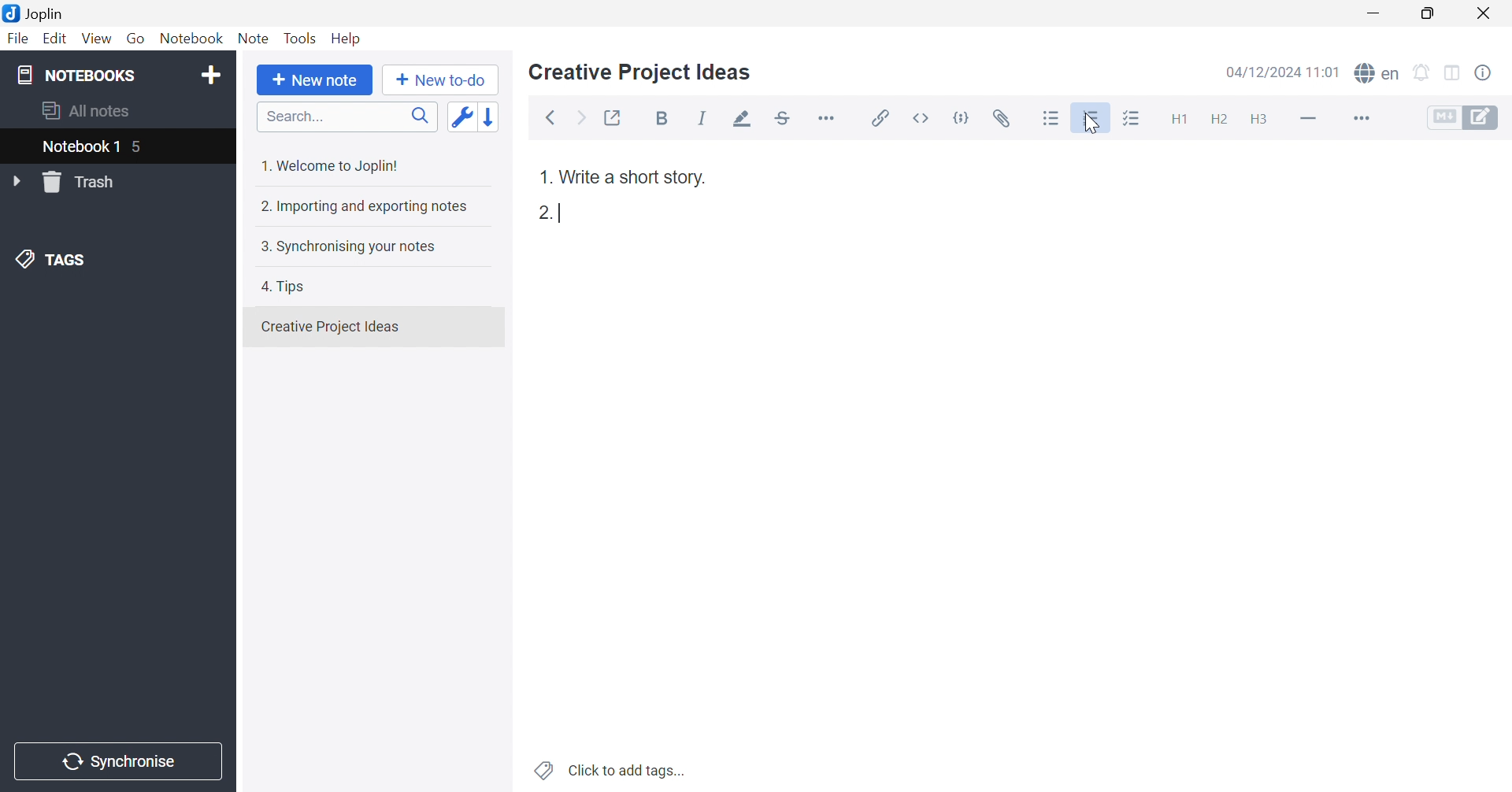 The width and height of the screenshot is (1512, 792). What do you see at coordinates (1051, 119) in the screenshot?
I see `Bulleted list` at bounding box center [1051, 119].